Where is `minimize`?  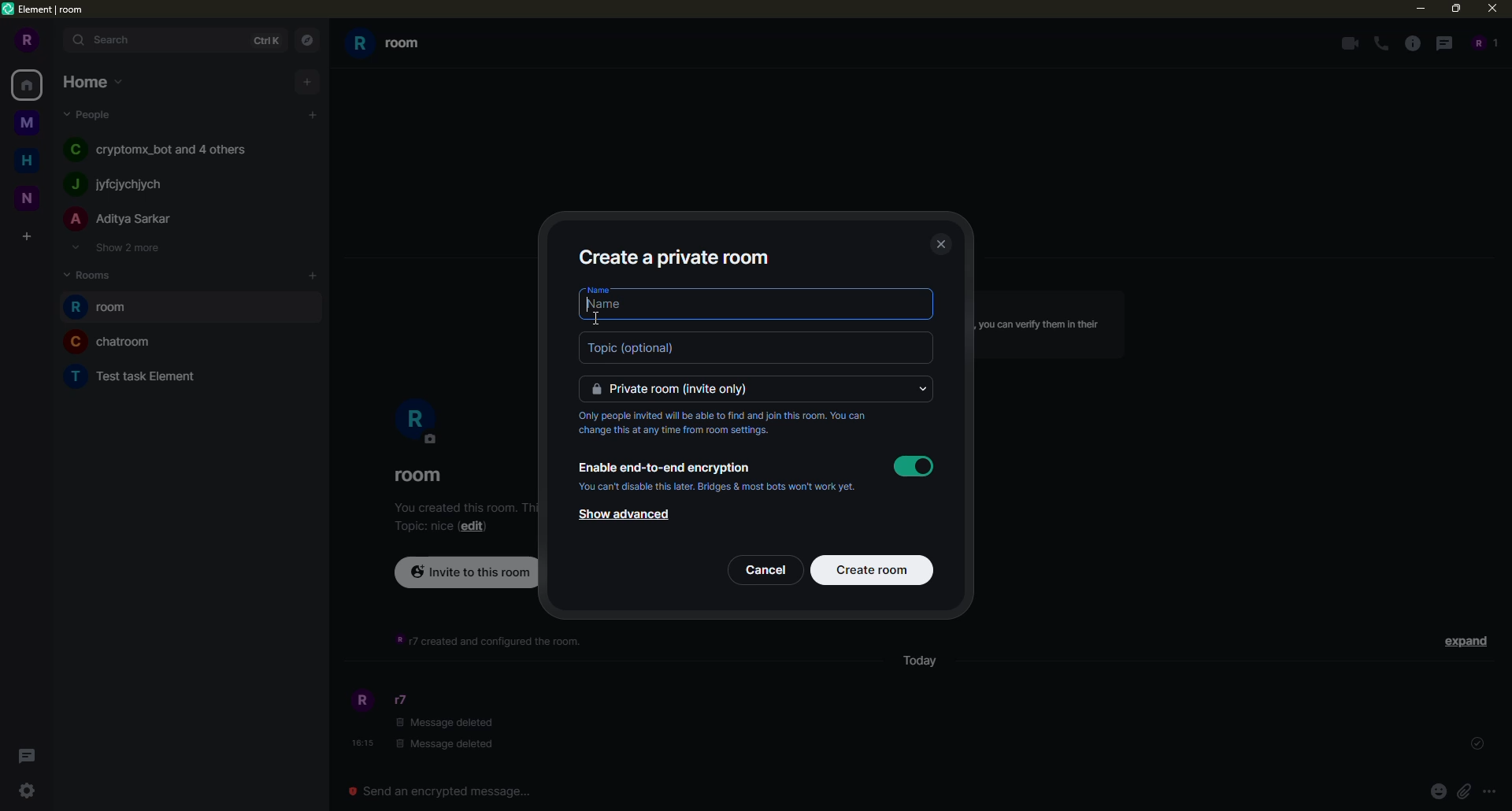 minimize is located at coordinates (1417, 8).